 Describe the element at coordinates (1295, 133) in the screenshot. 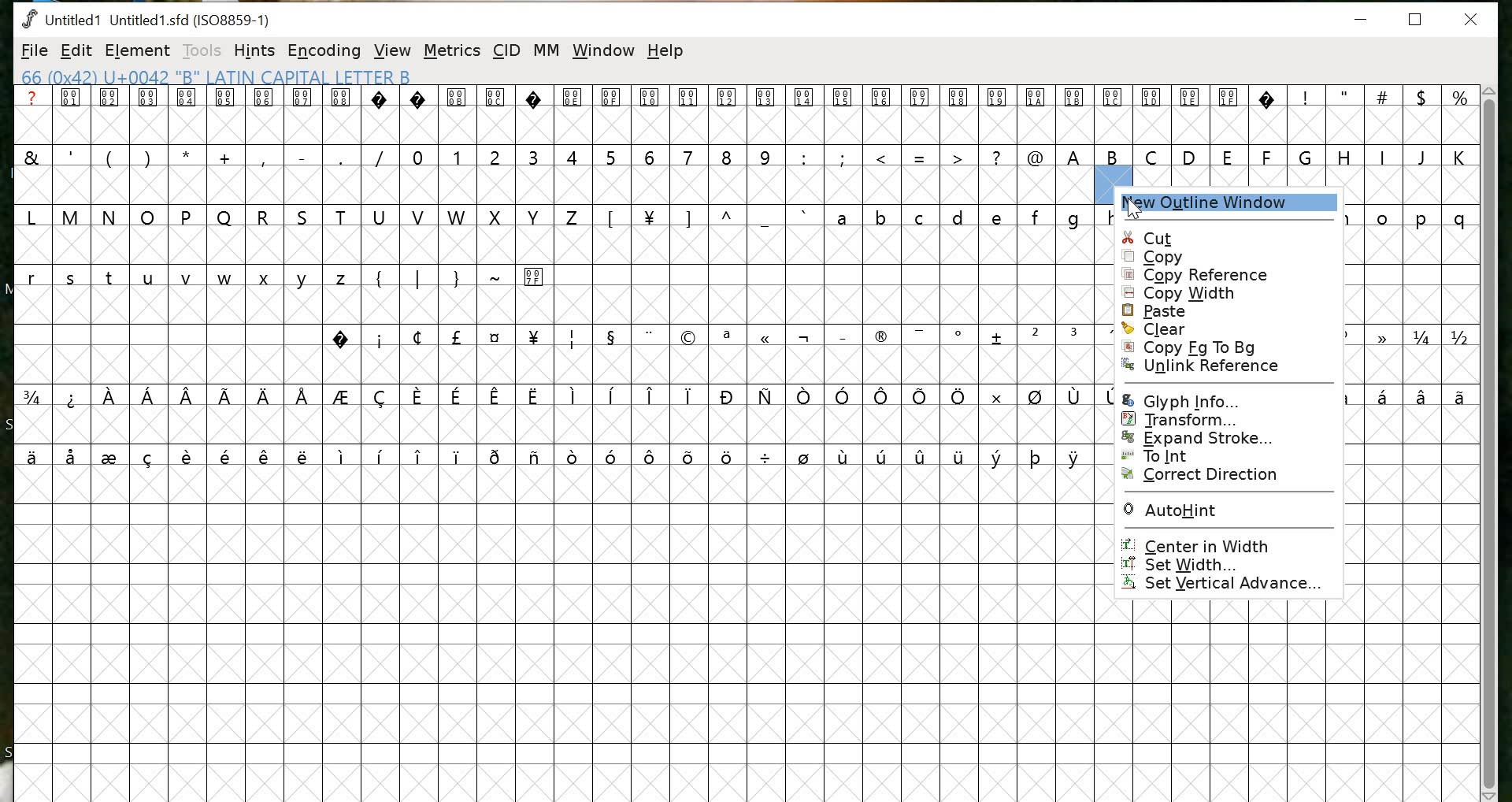

I see `glyphs` at that location.